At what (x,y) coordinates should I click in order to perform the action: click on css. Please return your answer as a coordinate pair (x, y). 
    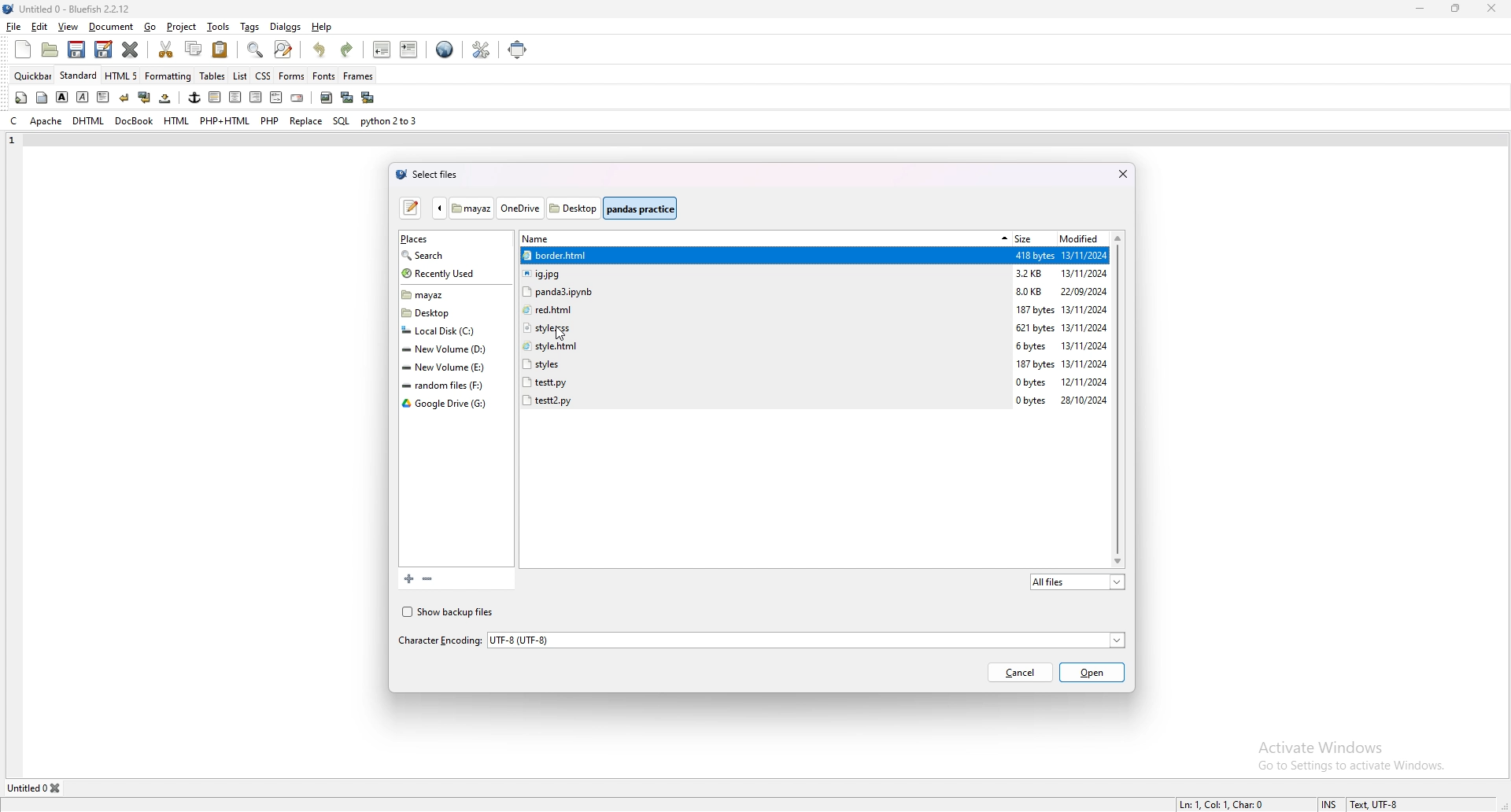
    Looking at the image, I should click on (263, 76).